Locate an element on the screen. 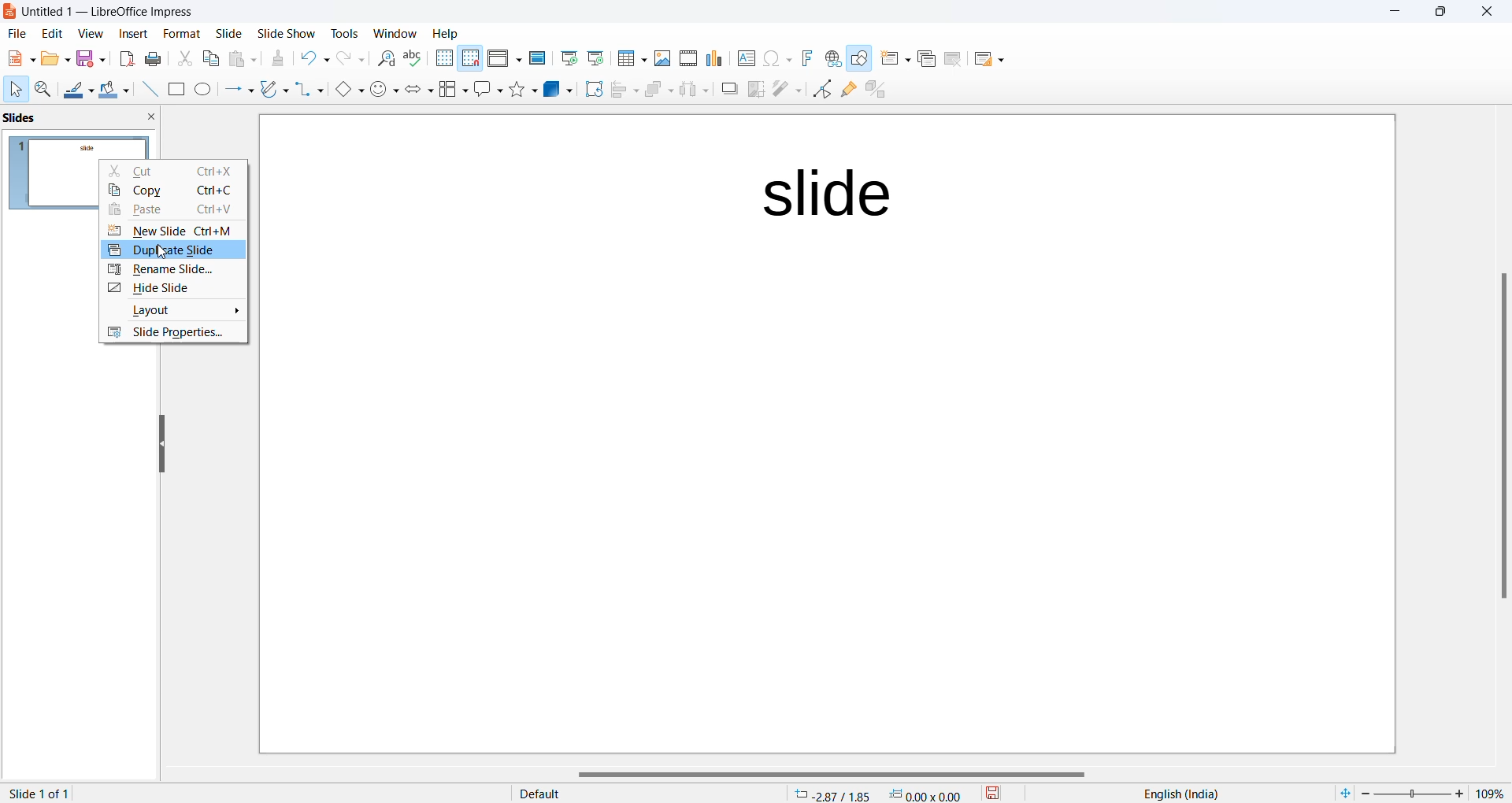 The height and width of the screenshot is (803, 1512). zoom slider is located at coordinates (1416, 792).